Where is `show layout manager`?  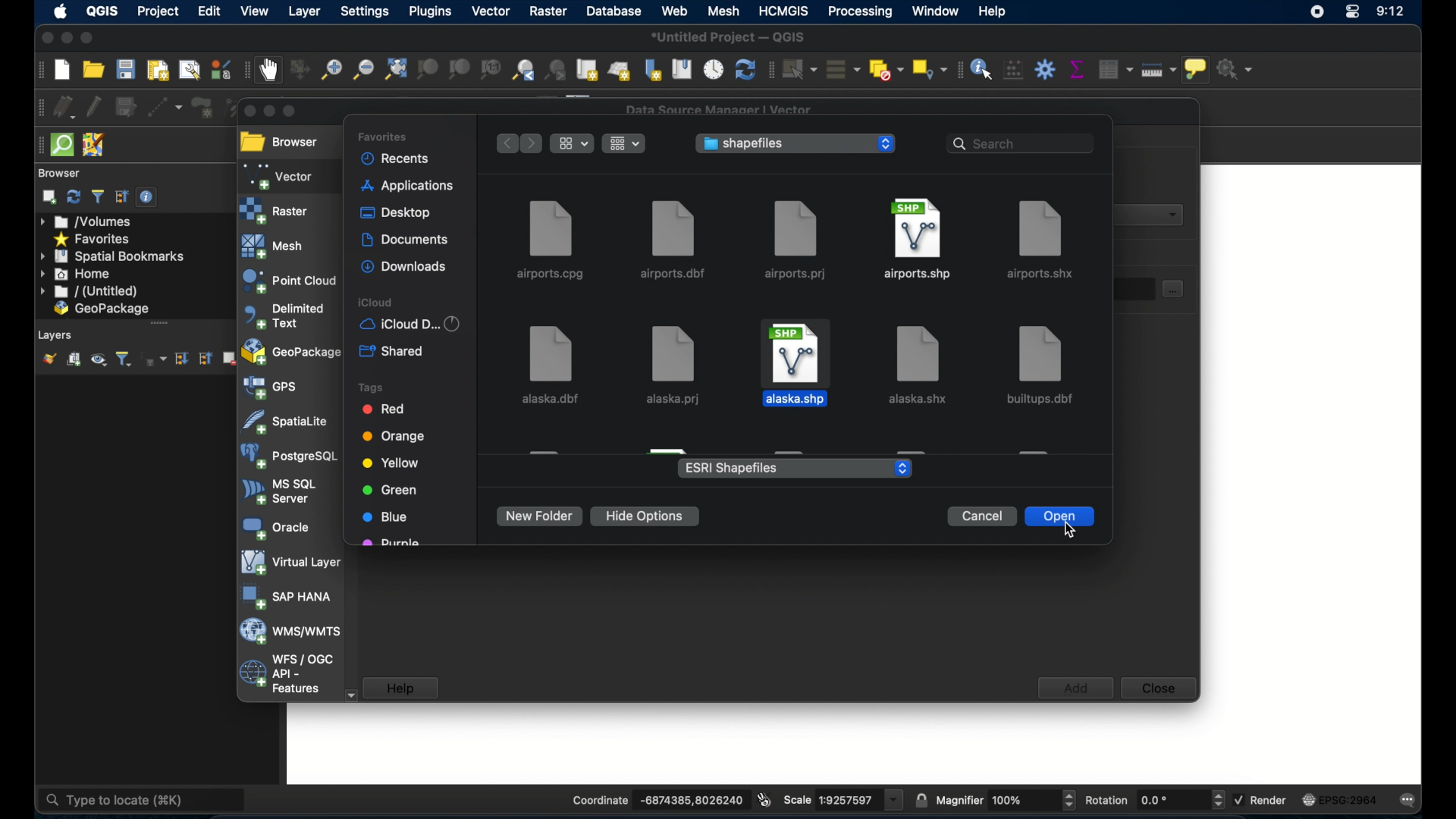
show layout manager is located at coordinates (188, 69).